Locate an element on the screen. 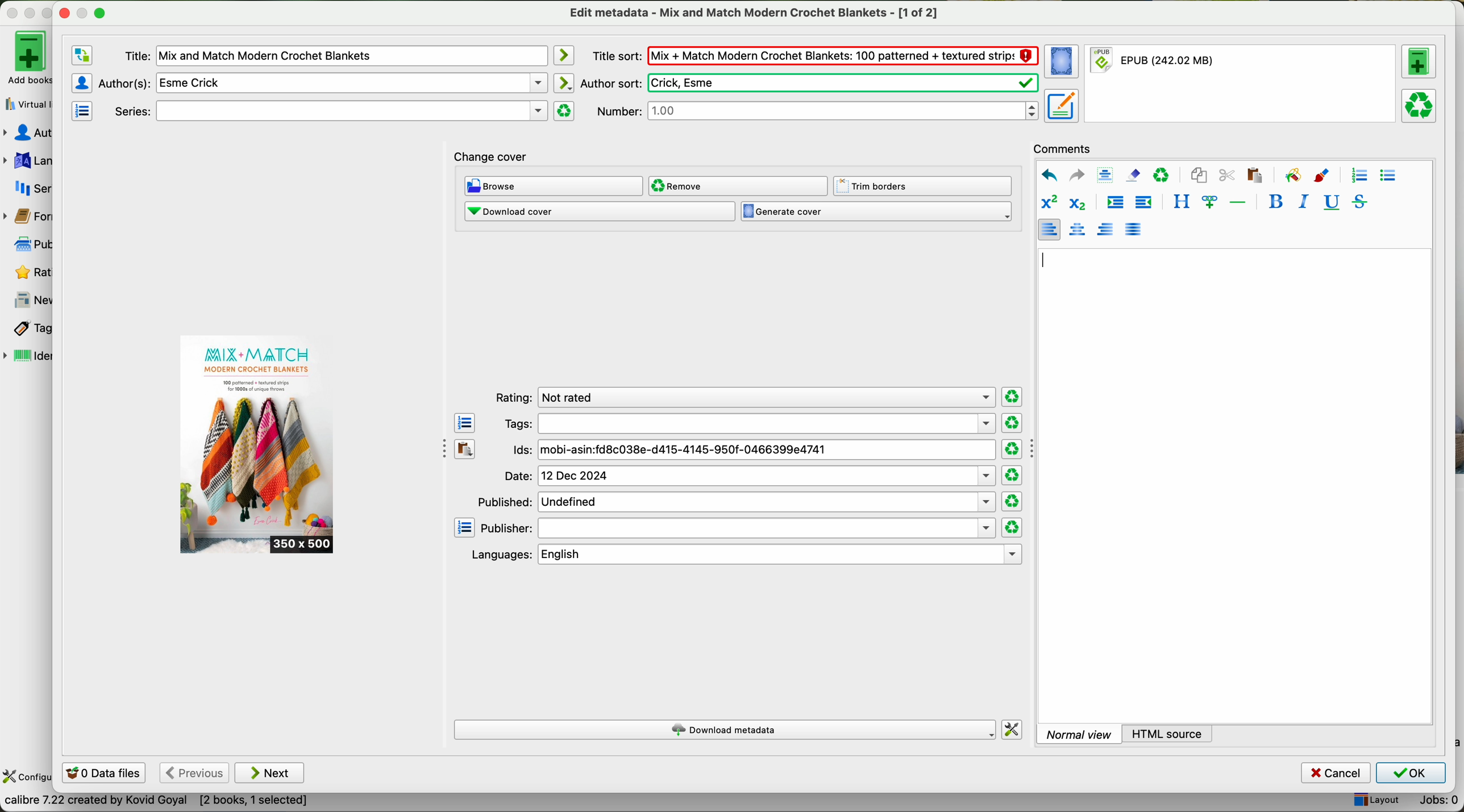 The height and width of the screenshot is (812, 1464). clear rating is located at coordinates (1012, 528).